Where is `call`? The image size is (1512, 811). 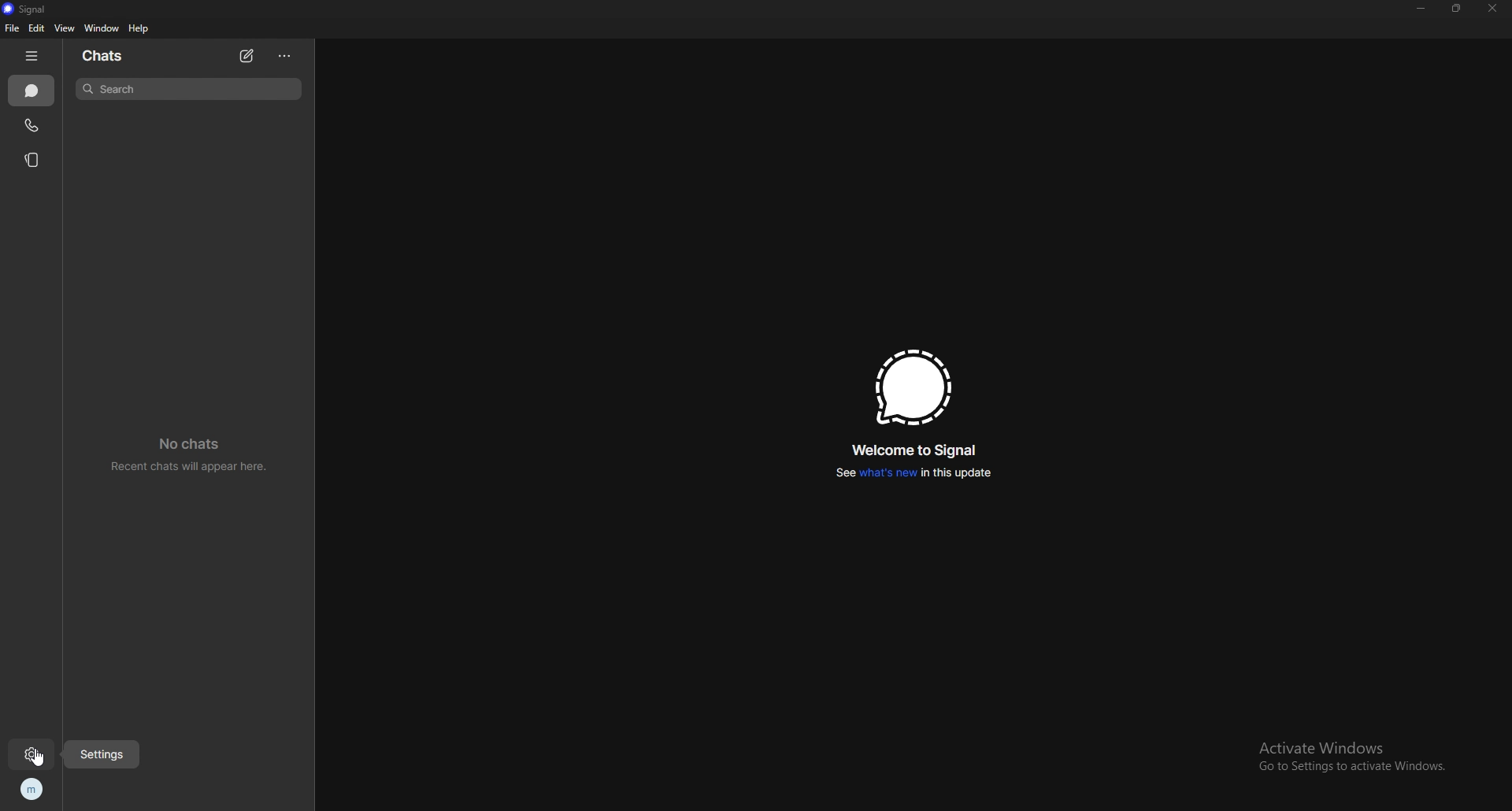
call is located at coordinates (31, 126).